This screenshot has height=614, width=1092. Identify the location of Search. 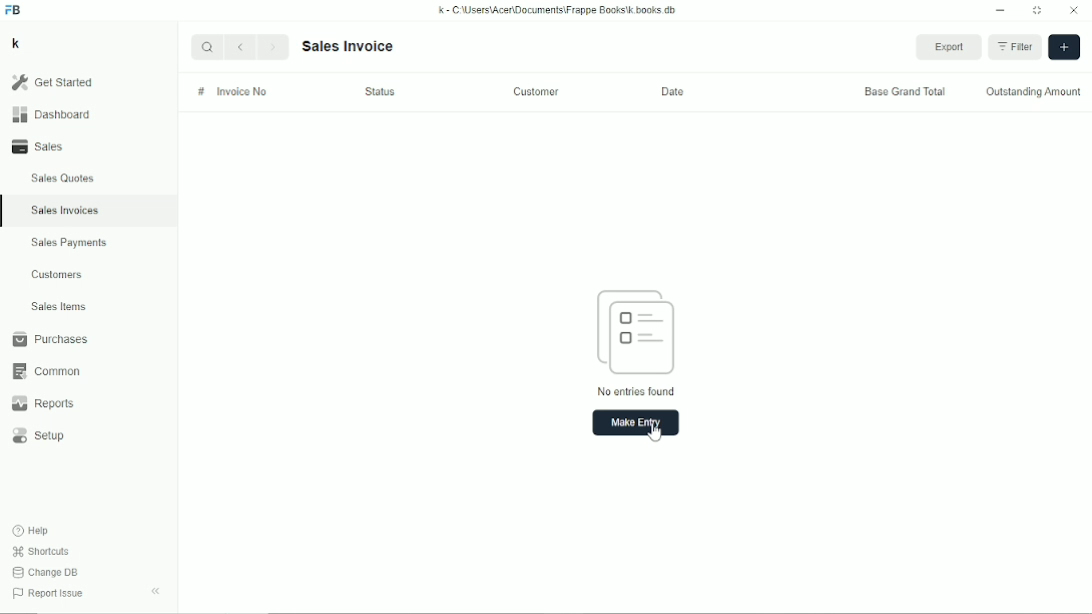
(208, 47).